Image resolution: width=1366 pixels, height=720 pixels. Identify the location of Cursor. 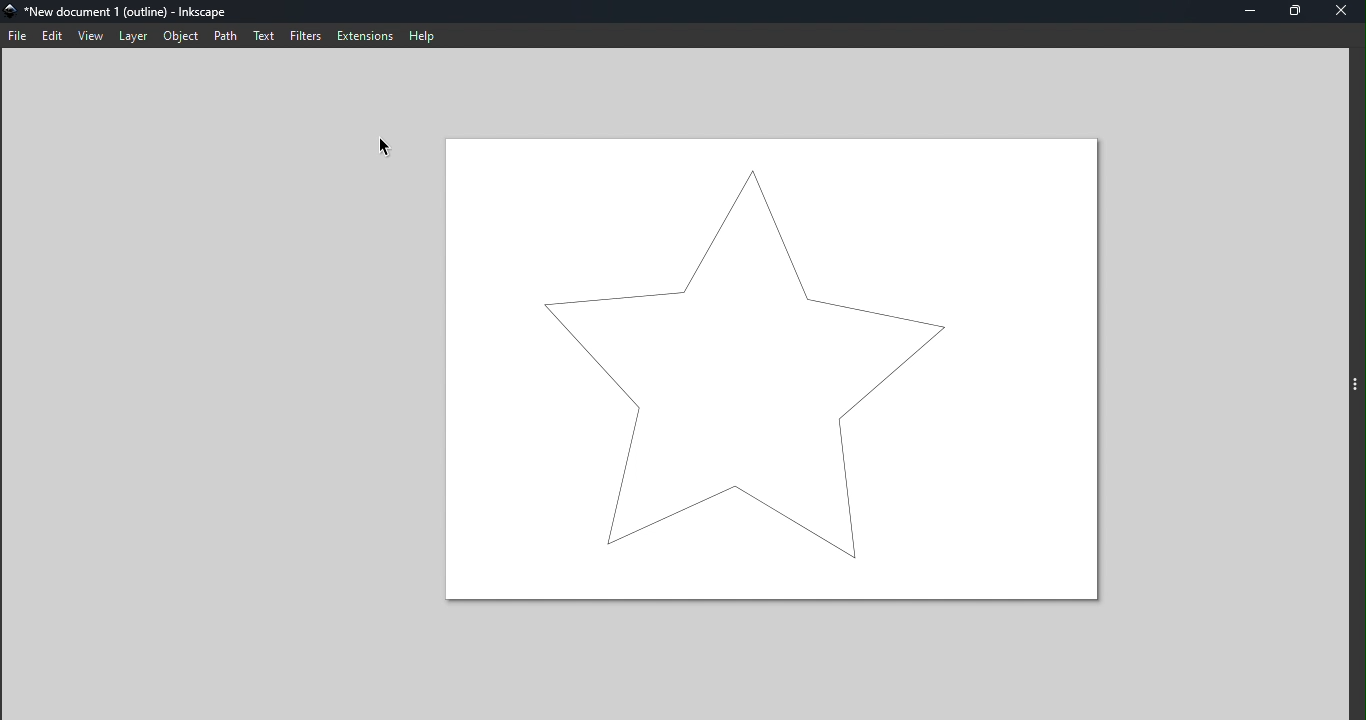
(390, 154).